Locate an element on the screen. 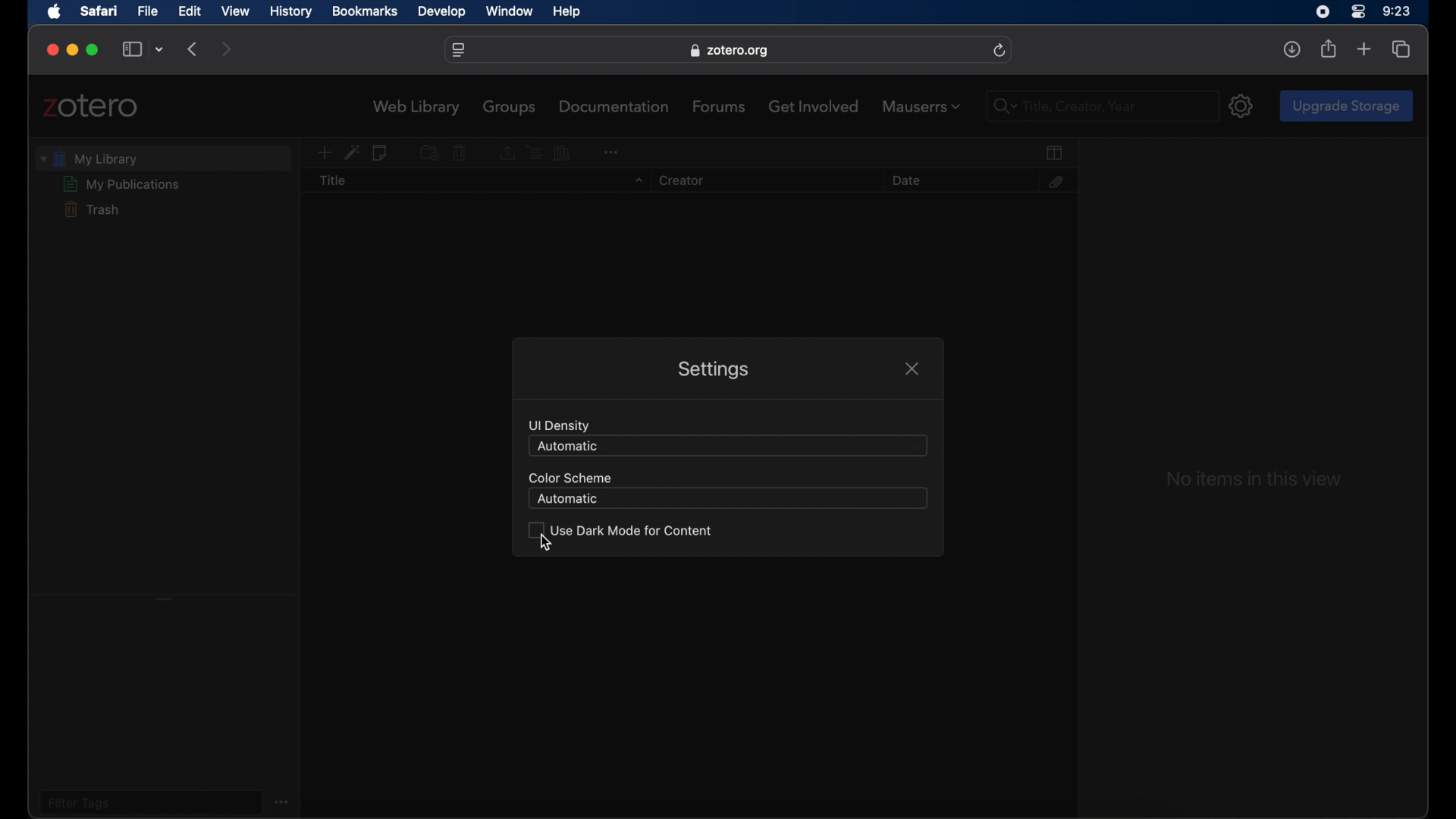  add by identifier is located at coordinates (352, 152).